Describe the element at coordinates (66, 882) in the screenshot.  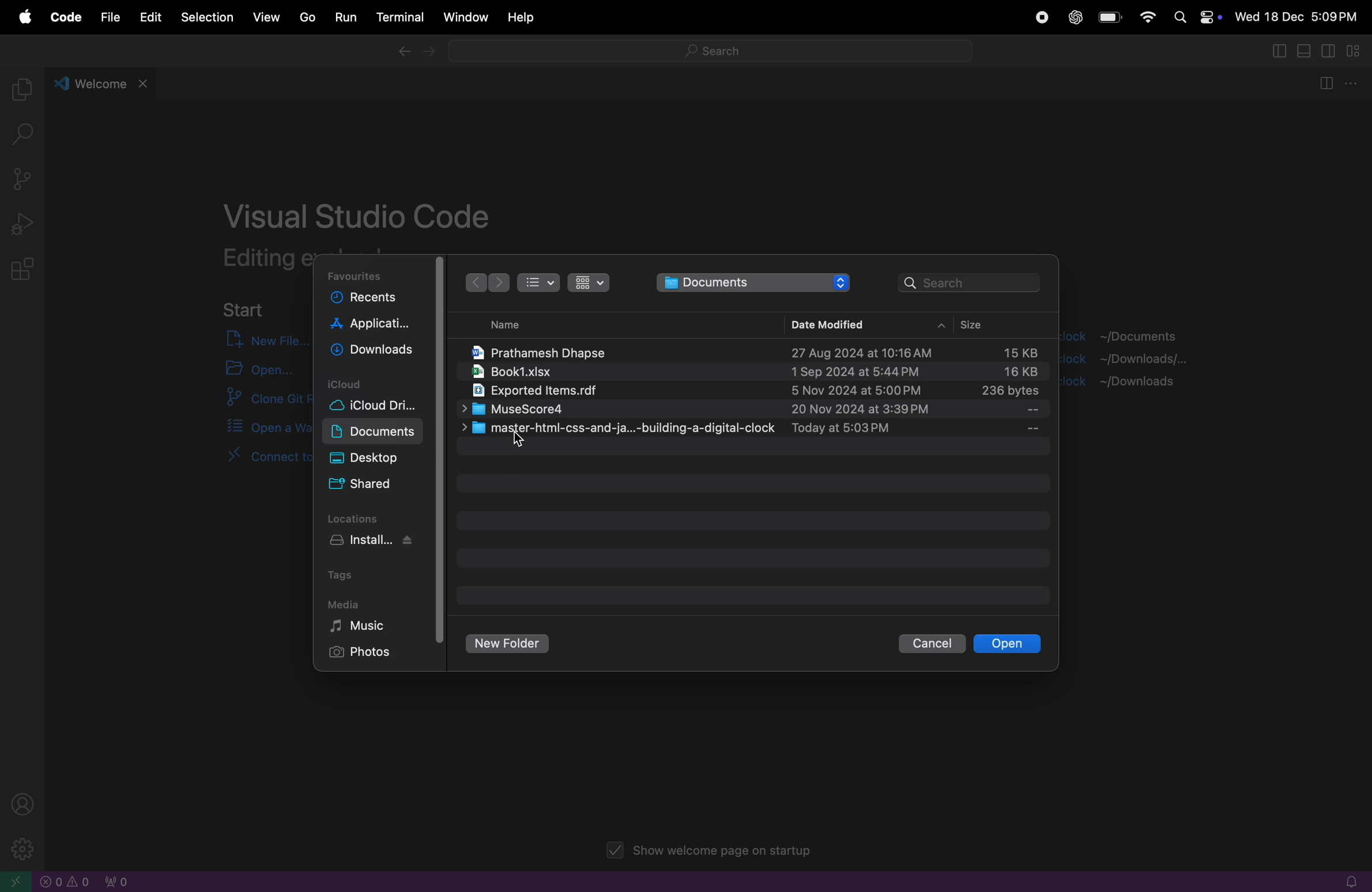
I see `no problems` at that location.